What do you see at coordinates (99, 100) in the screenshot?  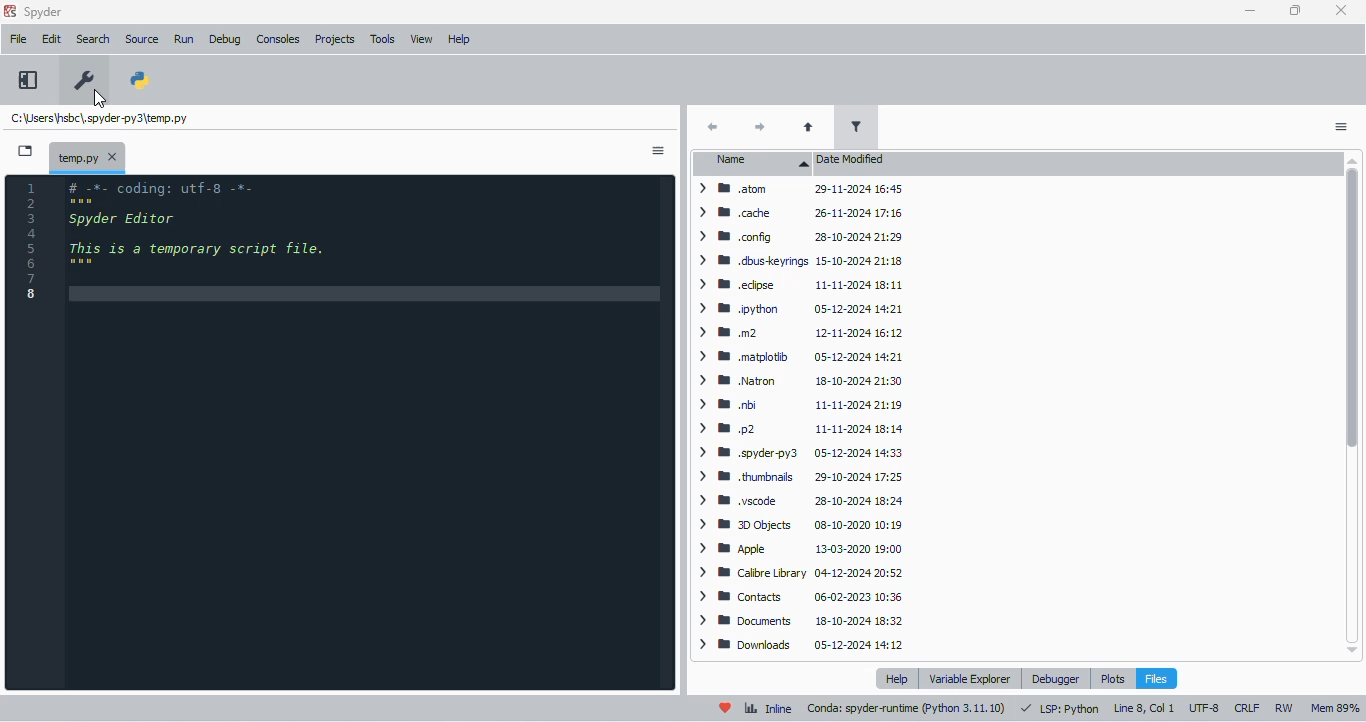 I see `cursor` at bounding box center [99, 100].